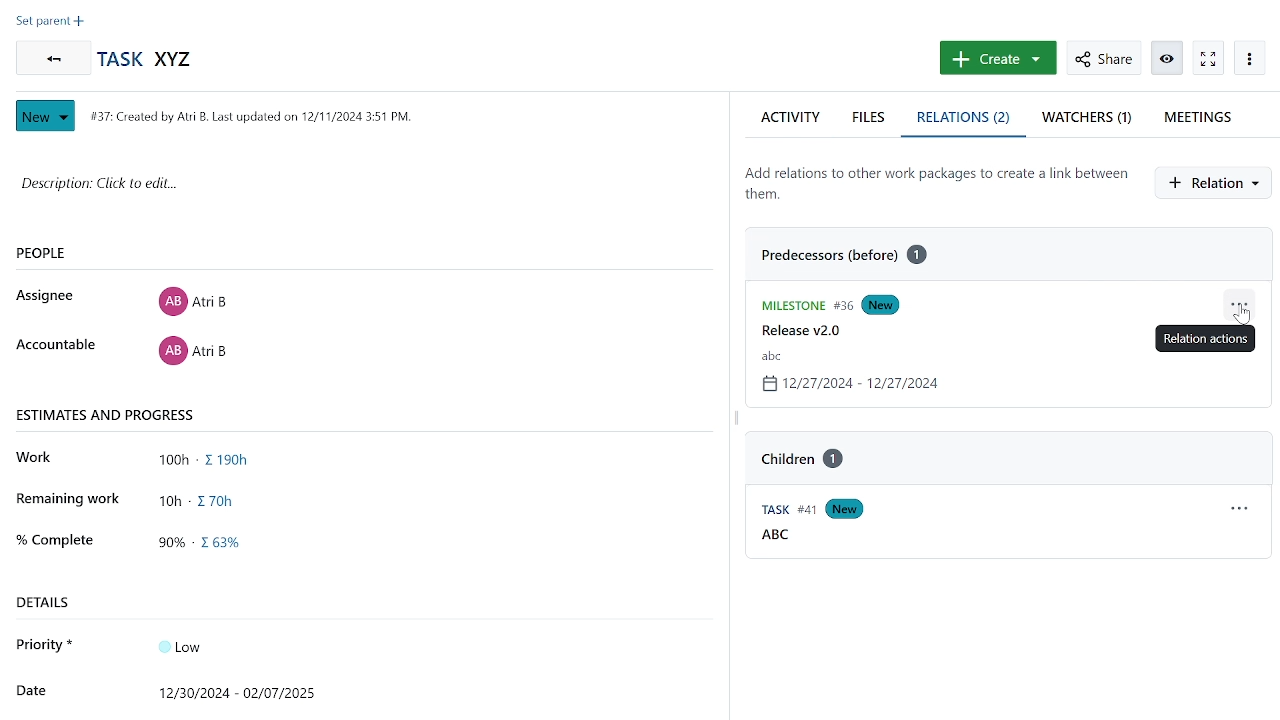  Describe the element at coordinates (1237, 510) in the screenshot. I see `relation actions` at that location.